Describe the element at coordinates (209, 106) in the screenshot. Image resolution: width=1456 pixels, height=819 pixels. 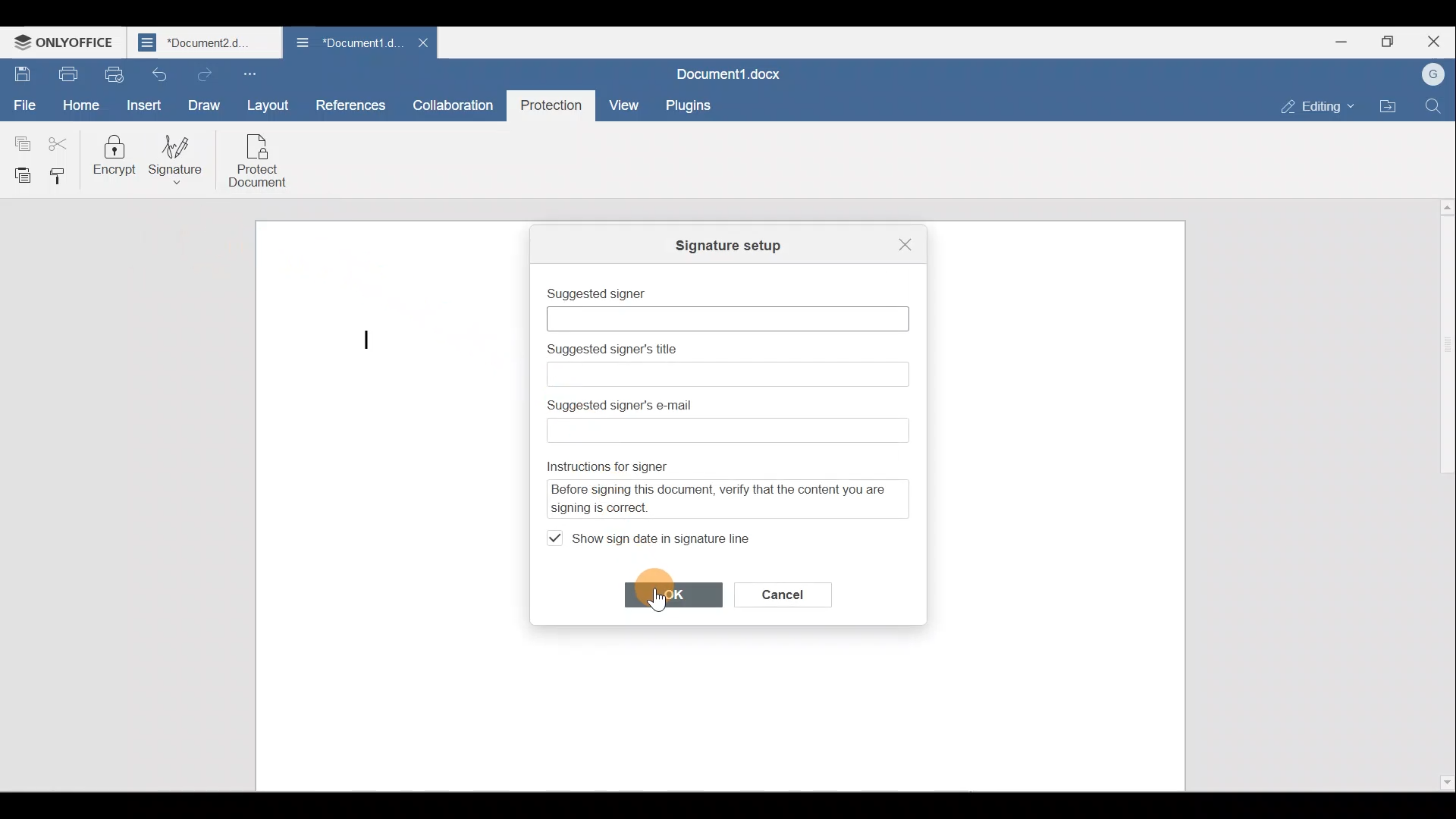
I see `Draw` at that location.